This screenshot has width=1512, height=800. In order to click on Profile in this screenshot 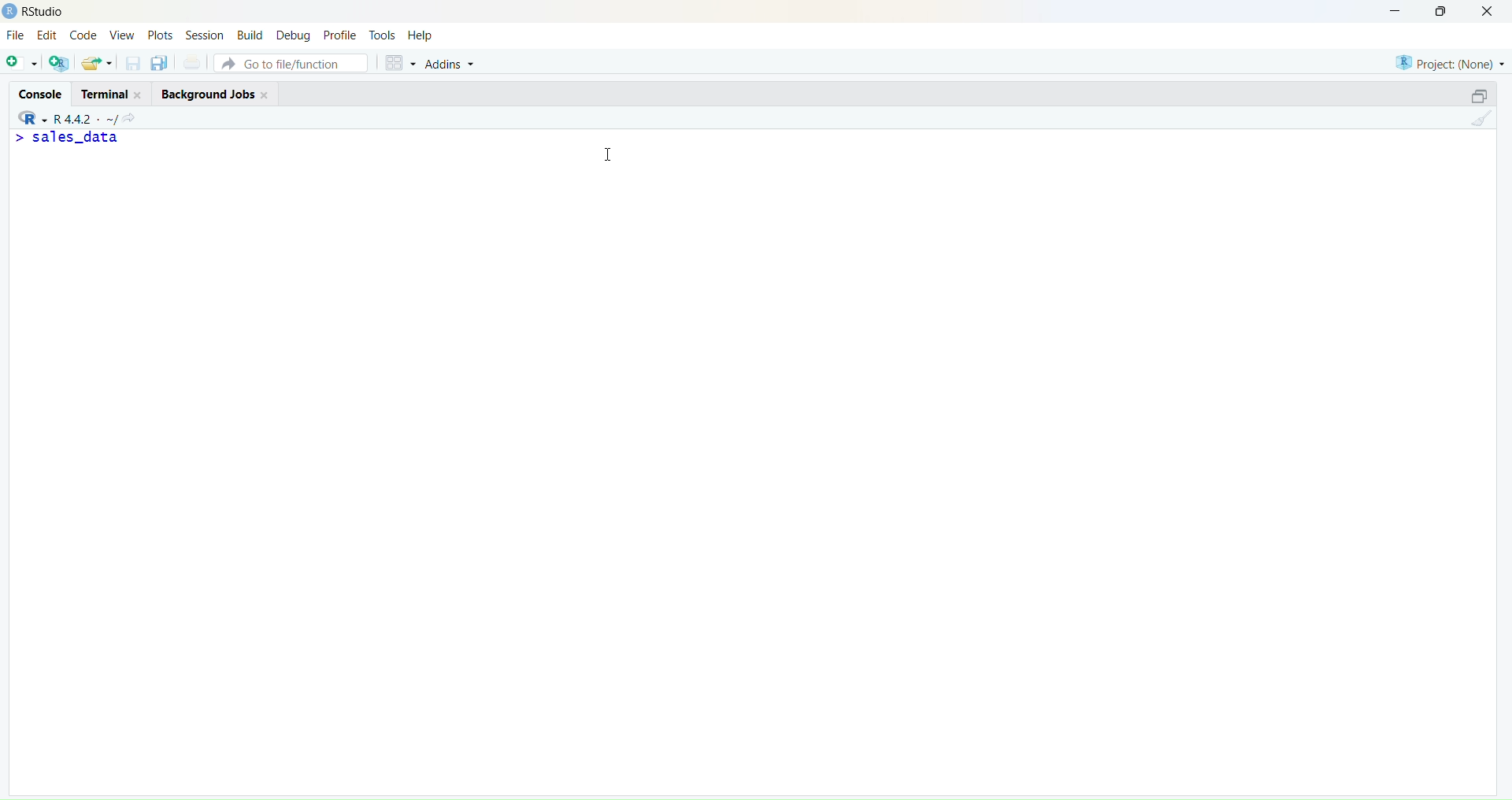, I will do `click(340, 36)`.